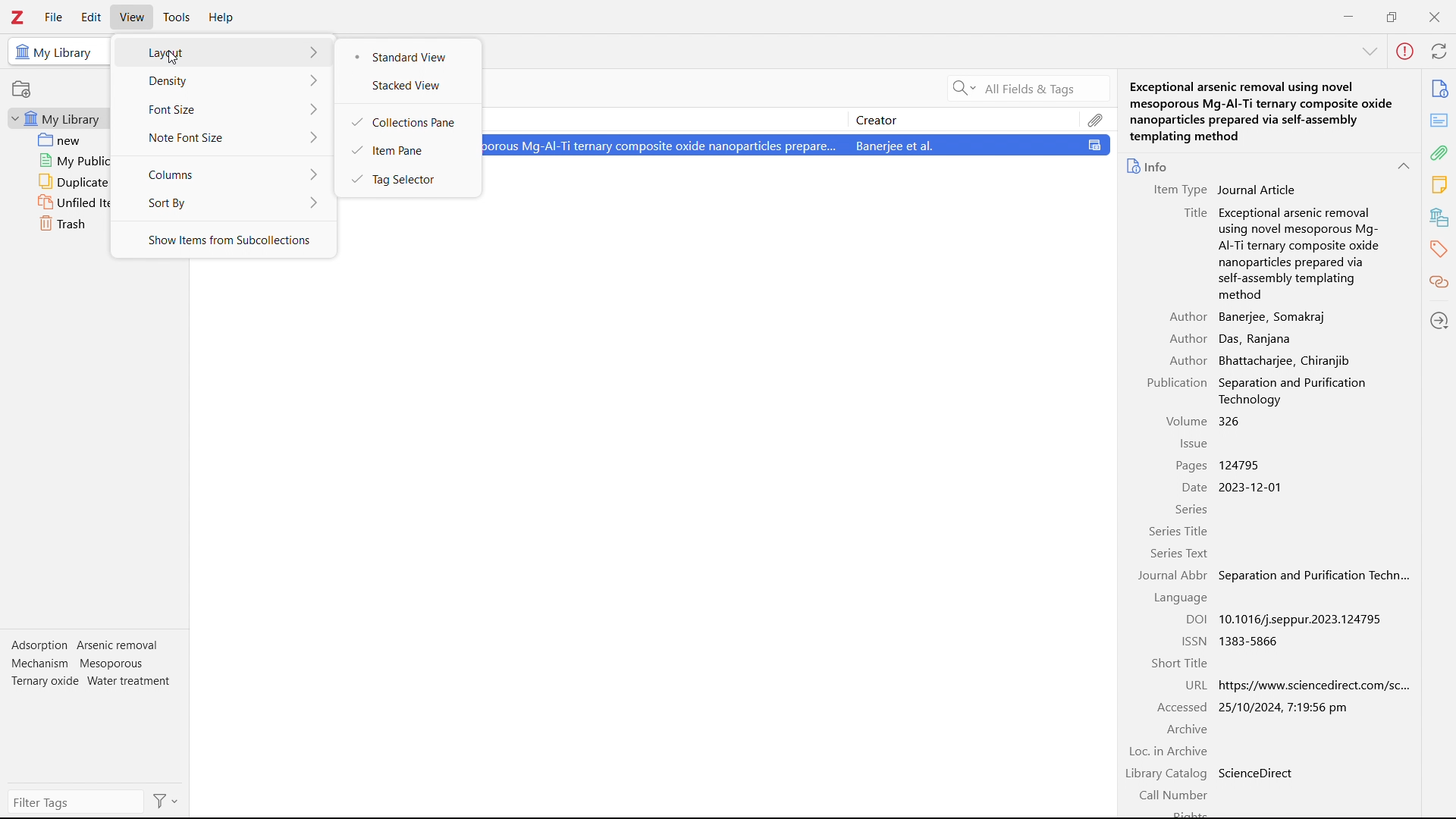  Describe the element at coordinates (1439, 185) in the screenshot. I see `notes` at that location.